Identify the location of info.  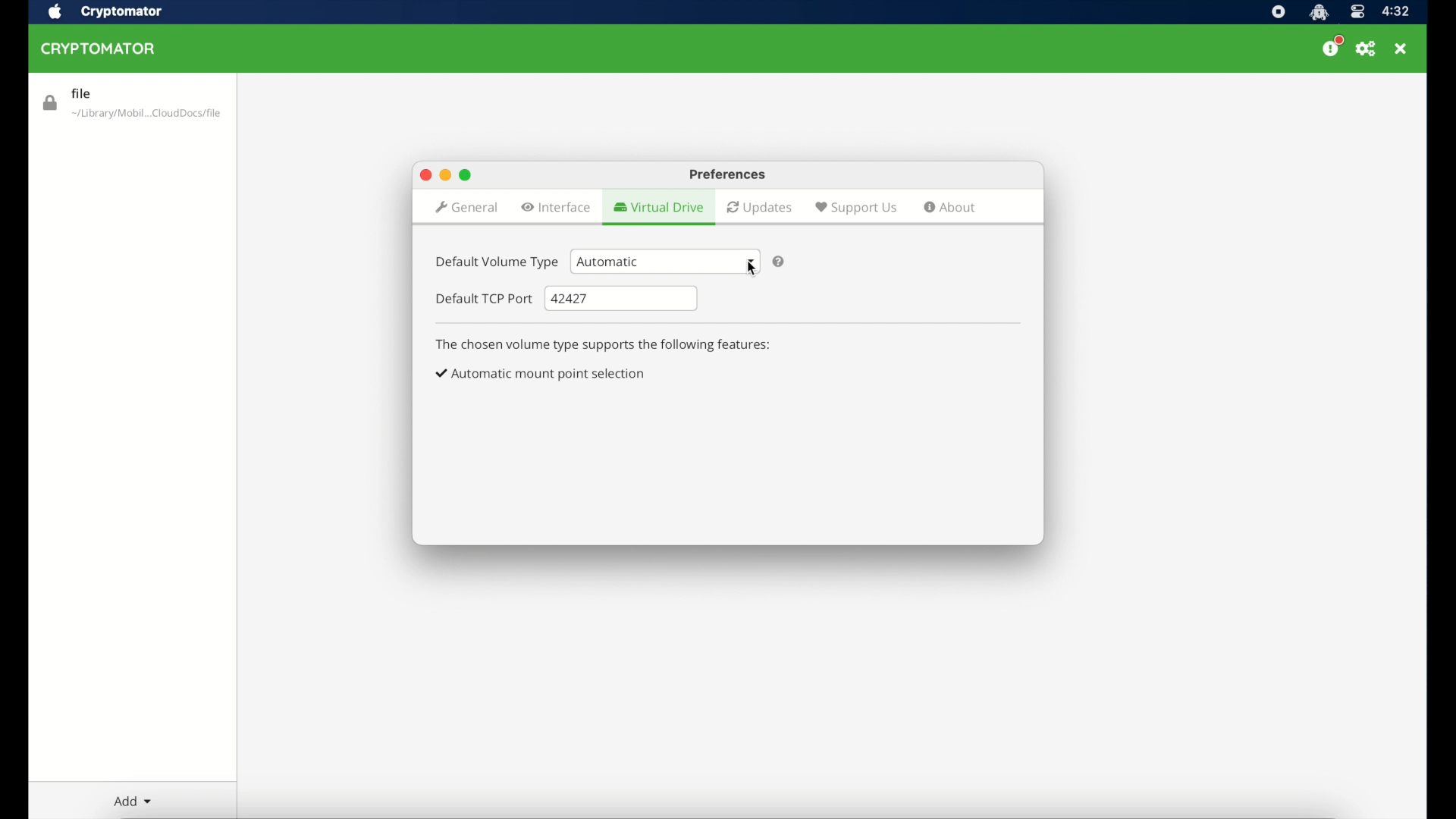
(604, 345).